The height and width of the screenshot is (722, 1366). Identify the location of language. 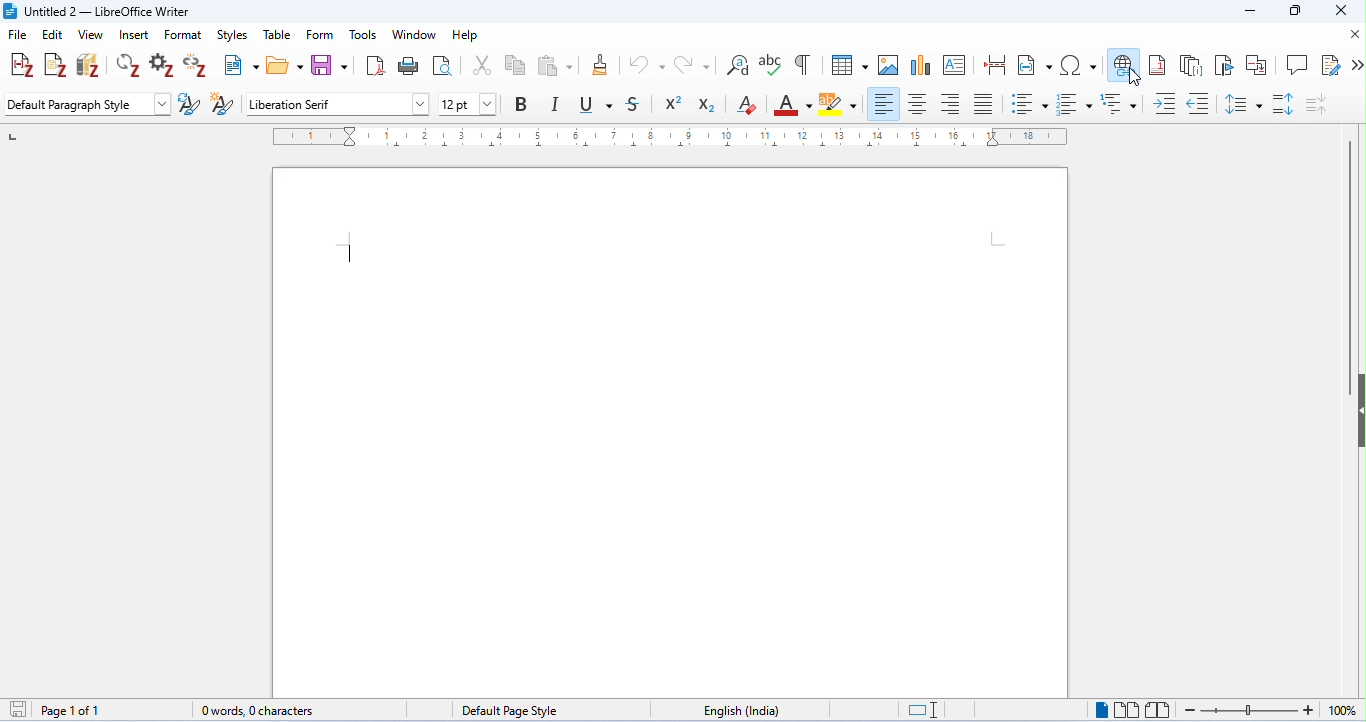
(744, 710).